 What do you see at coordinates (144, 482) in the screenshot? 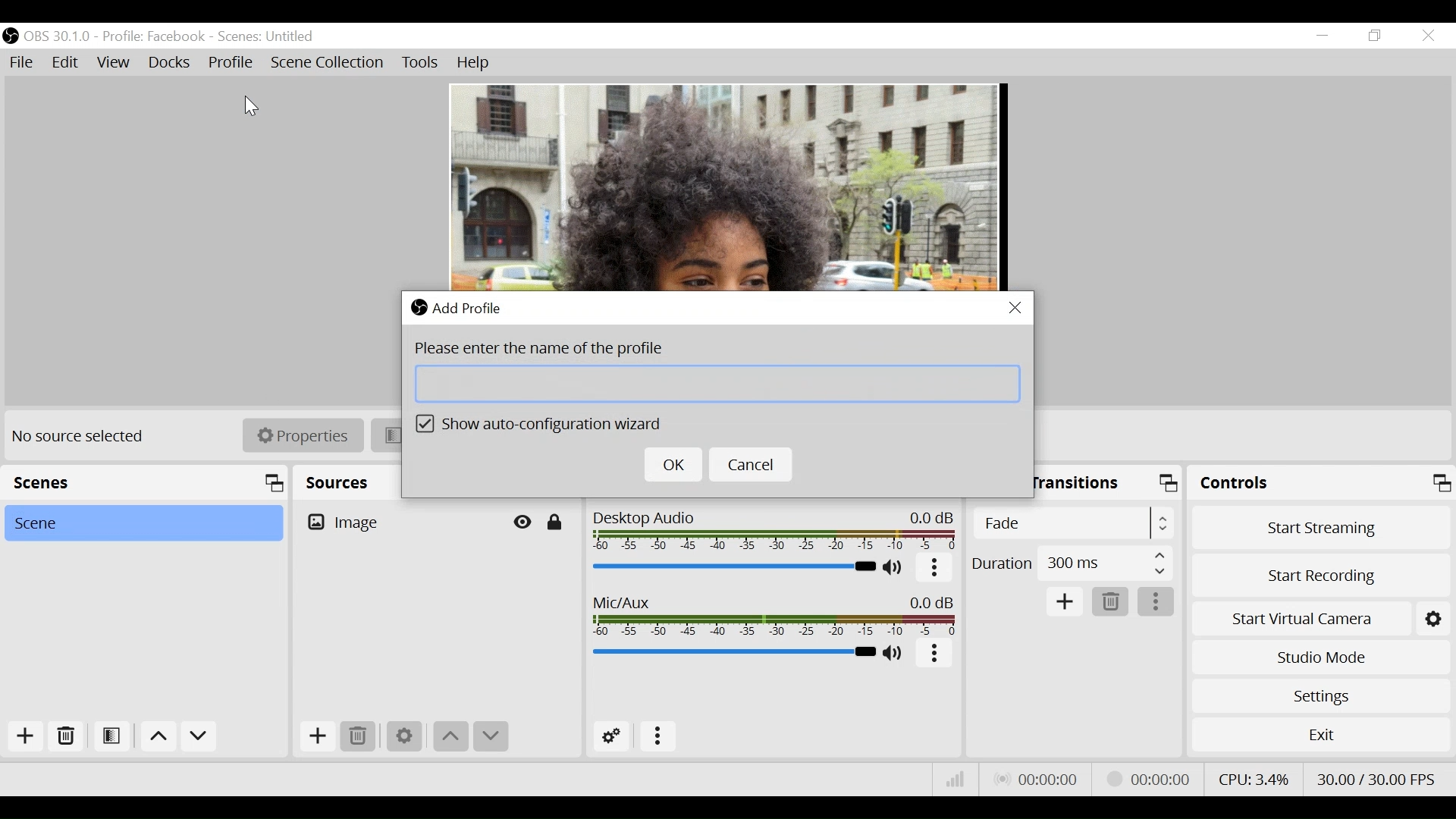
I see `Scenes Panel` at bounding box center [144, 482].